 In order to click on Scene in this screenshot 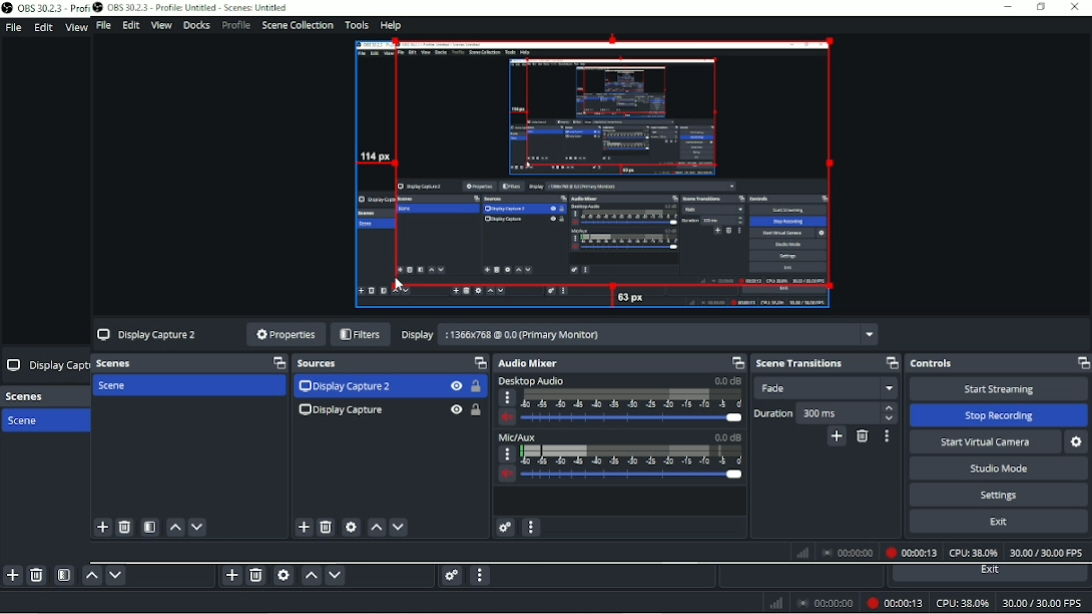, I will do `click(125, 387)`.